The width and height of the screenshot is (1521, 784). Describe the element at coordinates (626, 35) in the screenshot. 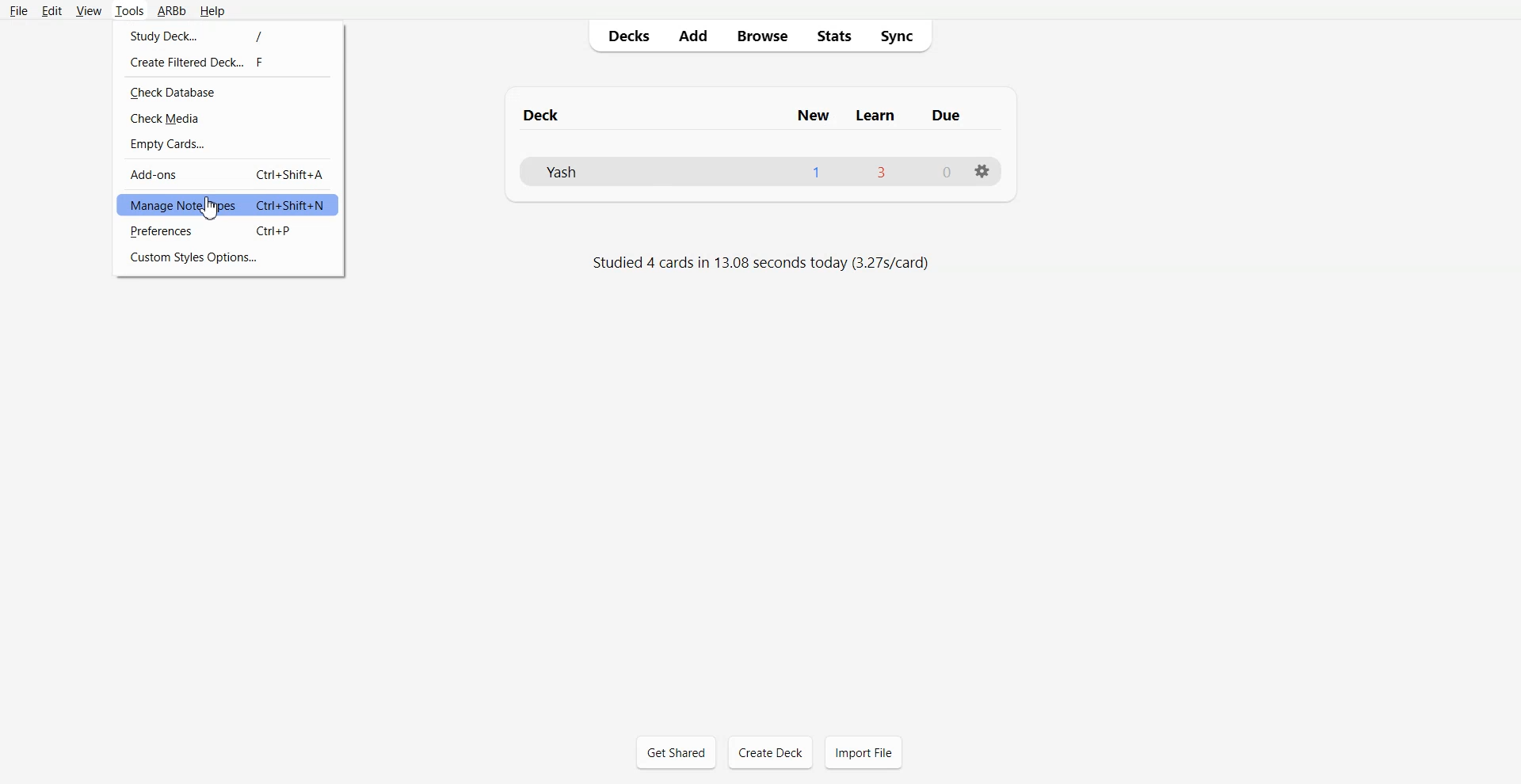

I see `Decks ` at that location.